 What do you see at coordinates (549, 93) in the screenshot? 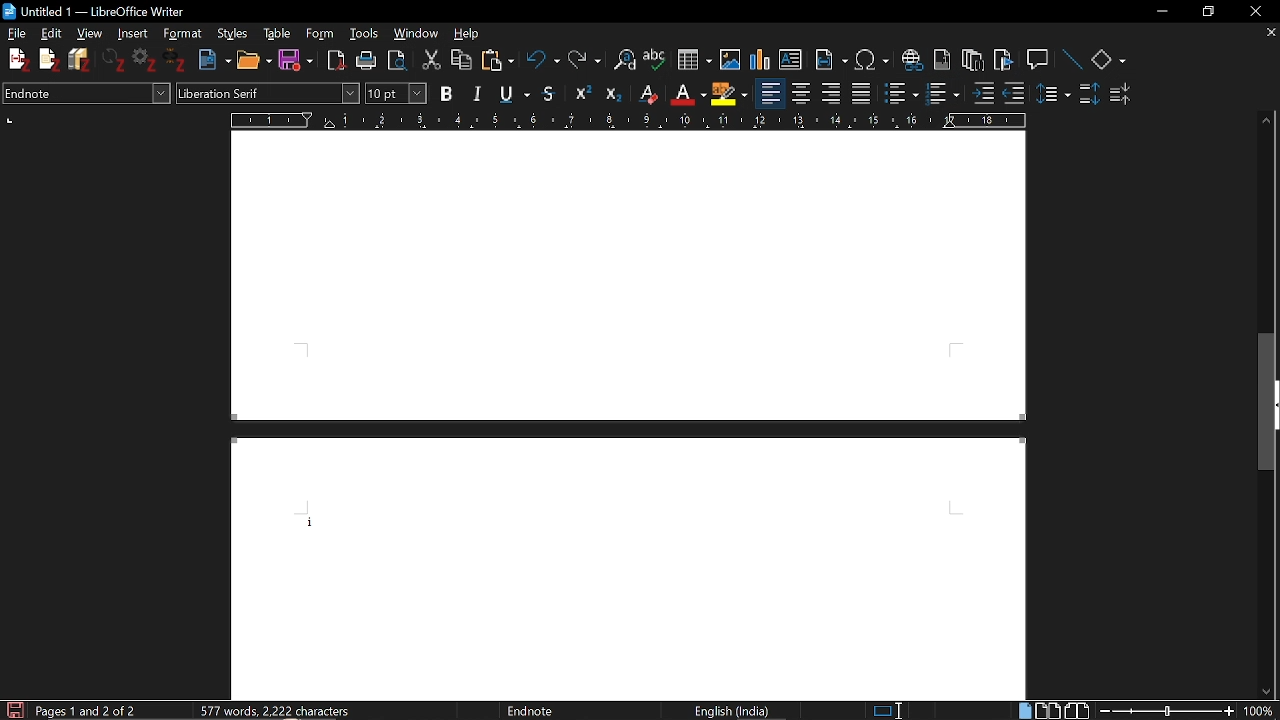
I see `Strikethrough` at bounding box center [549, 93].